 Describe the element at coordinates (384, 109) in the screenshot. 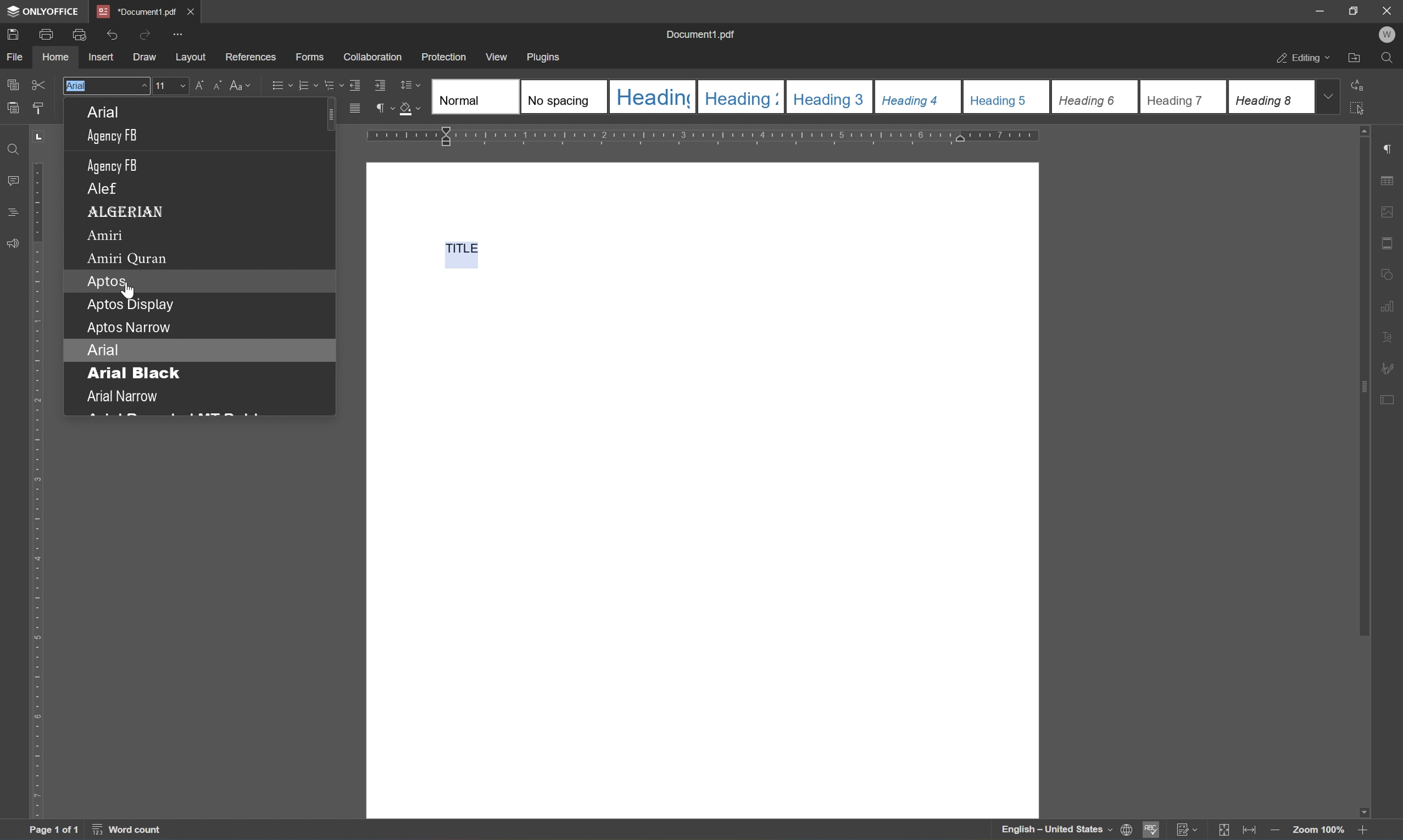

I see `non printing characters` at that location.